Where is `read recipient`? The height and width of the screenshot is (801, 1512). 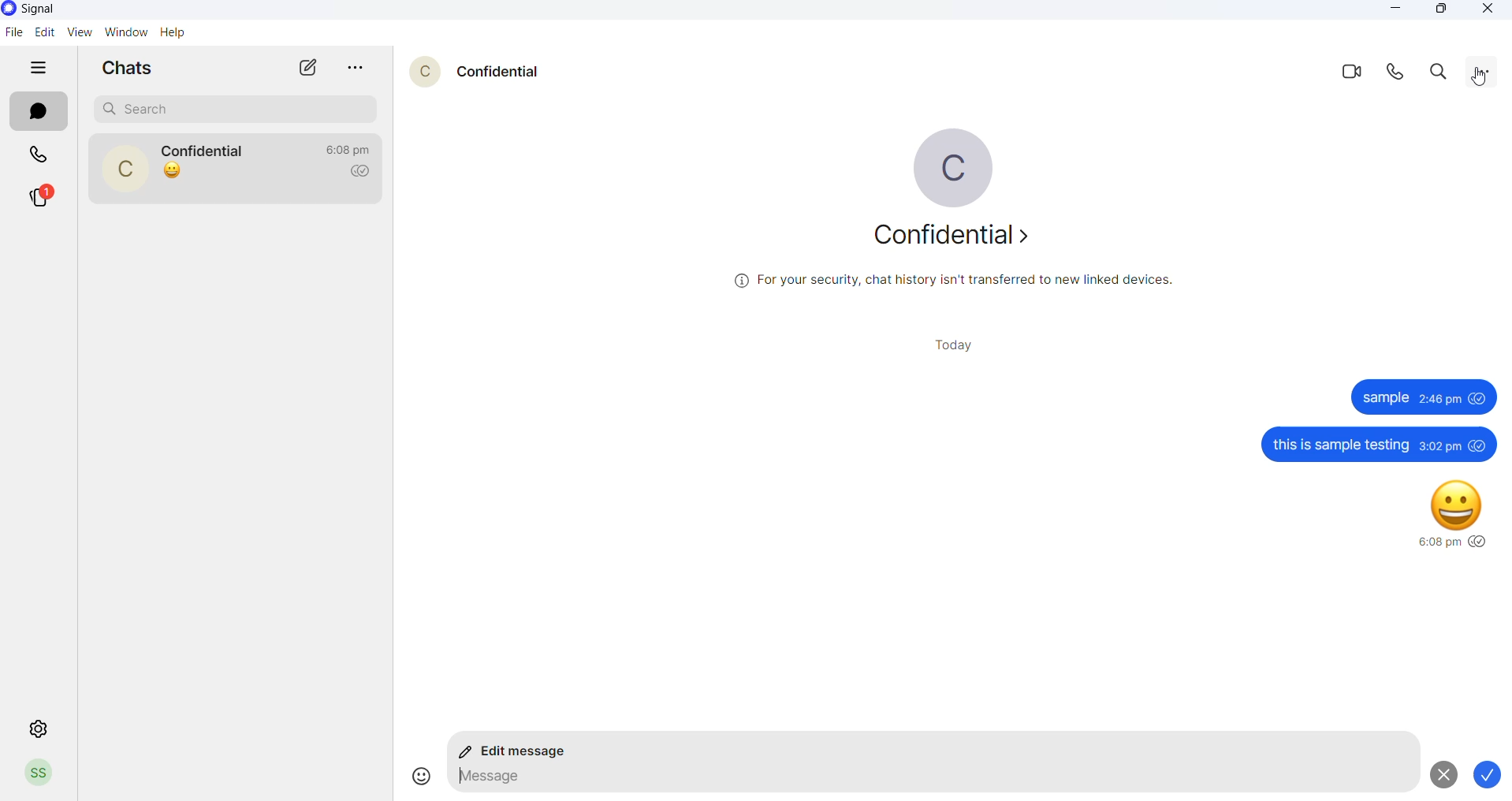
read recipient is located at coordinates (364, 172).